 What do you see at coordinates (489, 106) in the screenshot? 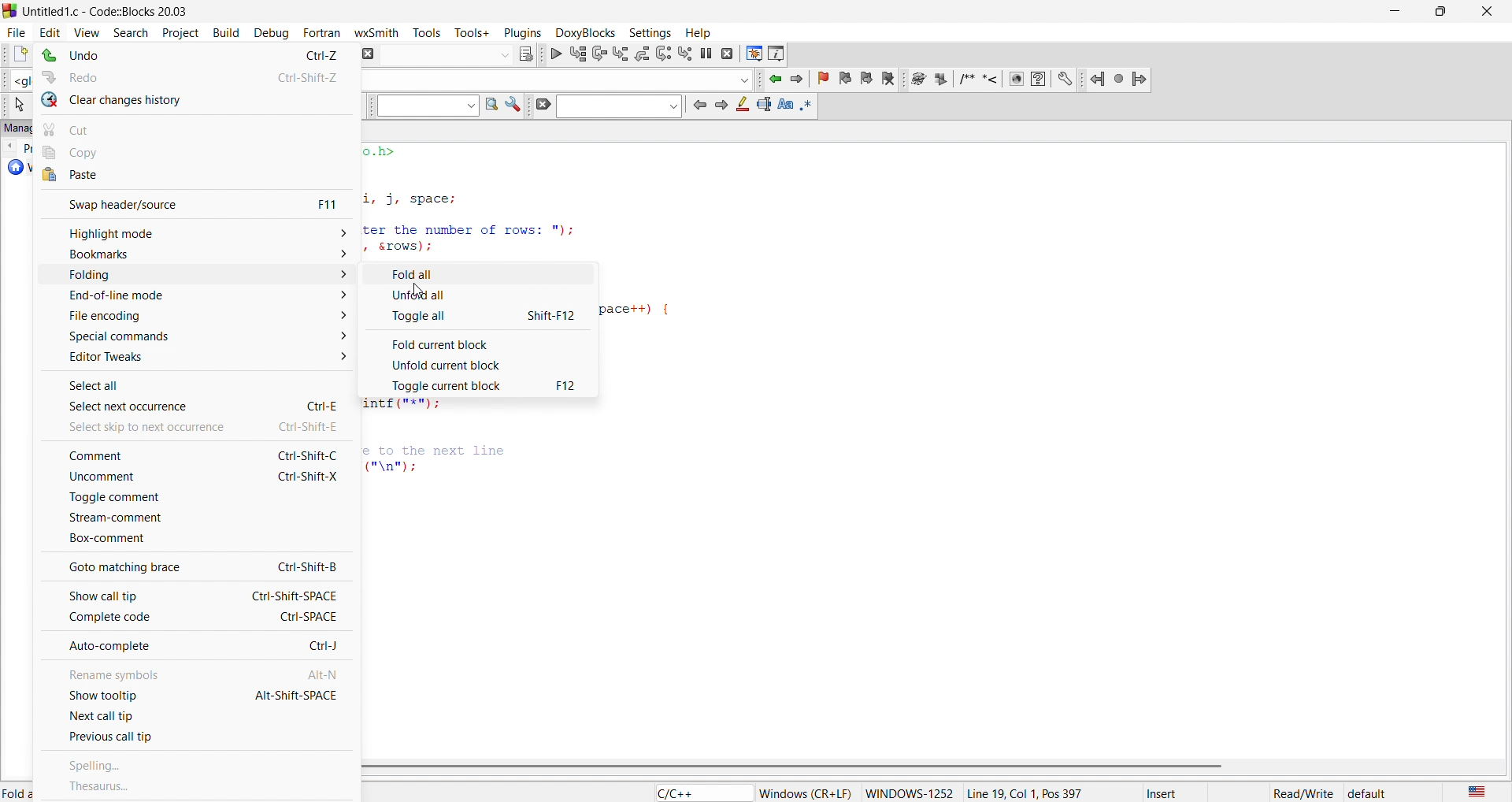
I see `find in page` at bounding box center [489, 106].